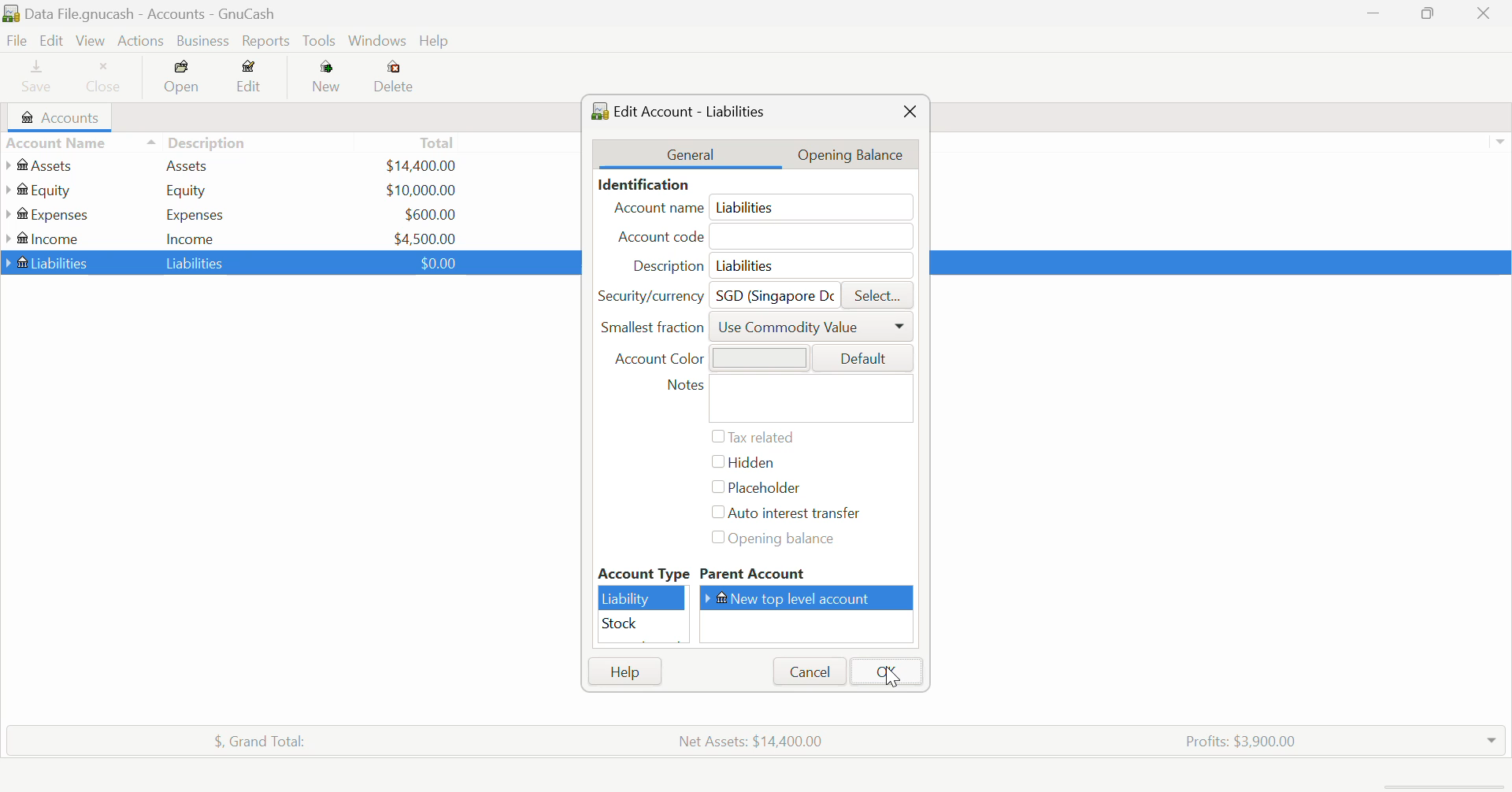 The width and height of the screenshot is (1512, 792). Describe the element at coordinates (439, 142) in the screenshot. I see `Total` at that location.